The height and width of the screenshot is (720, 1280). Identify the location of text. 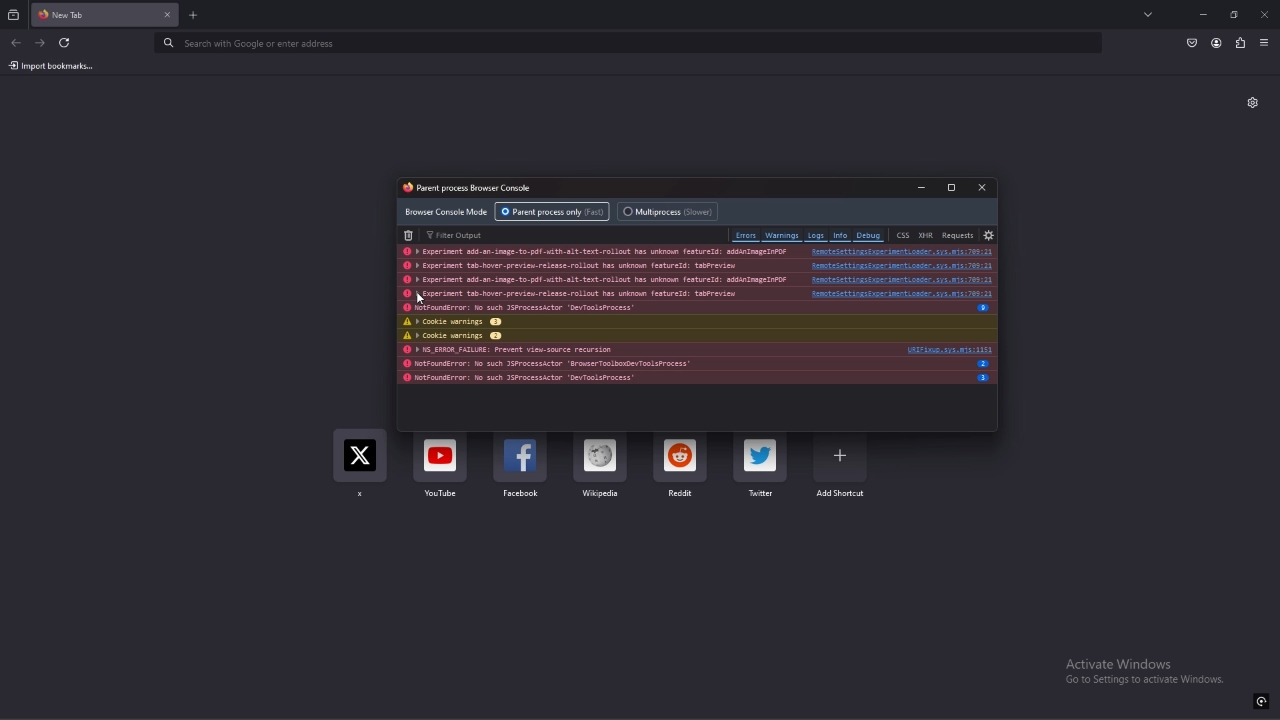
(1144, 671).